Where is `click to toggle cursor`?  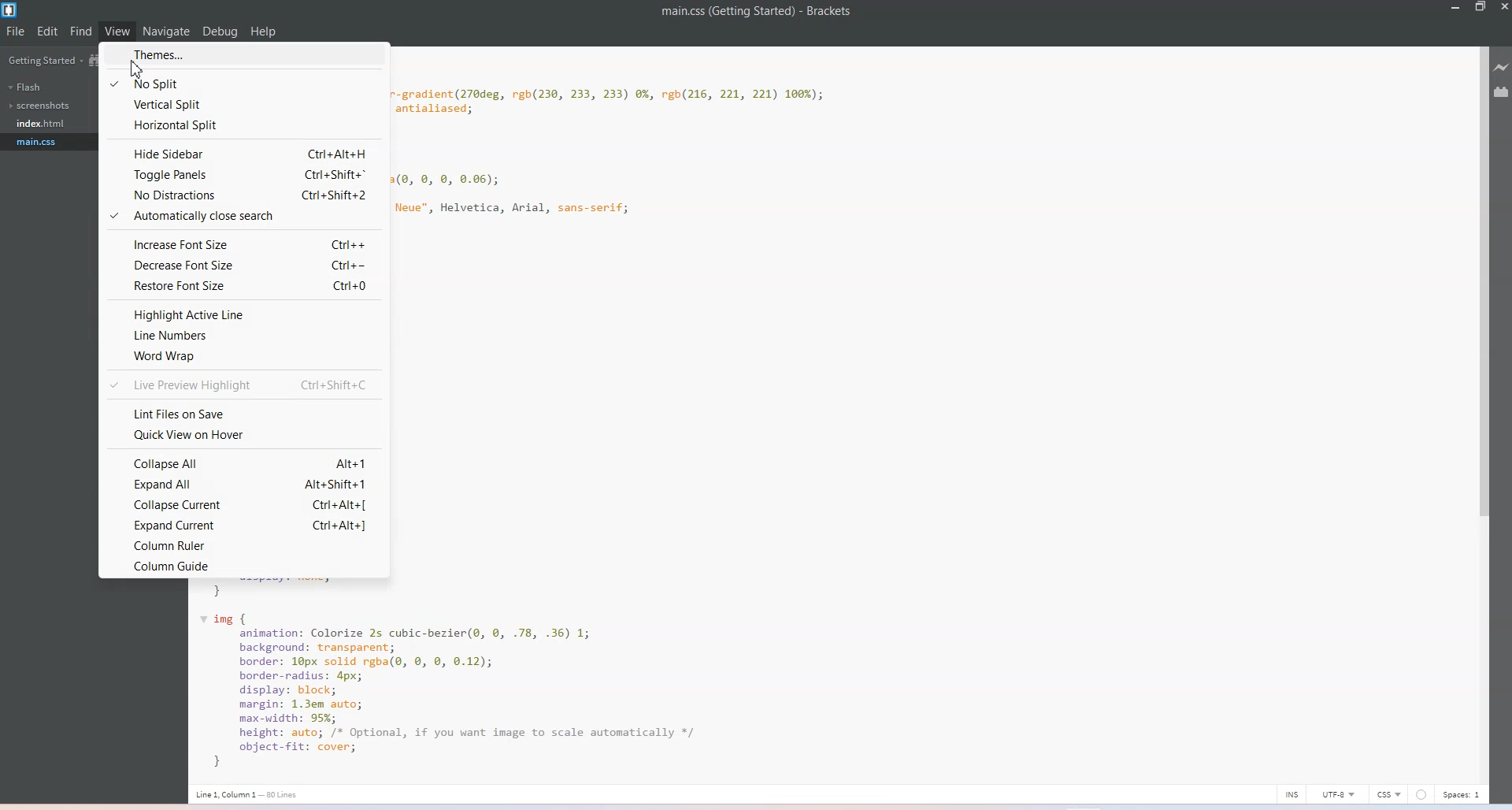
click to toggle cursor is located at coordinates (1291, 794).